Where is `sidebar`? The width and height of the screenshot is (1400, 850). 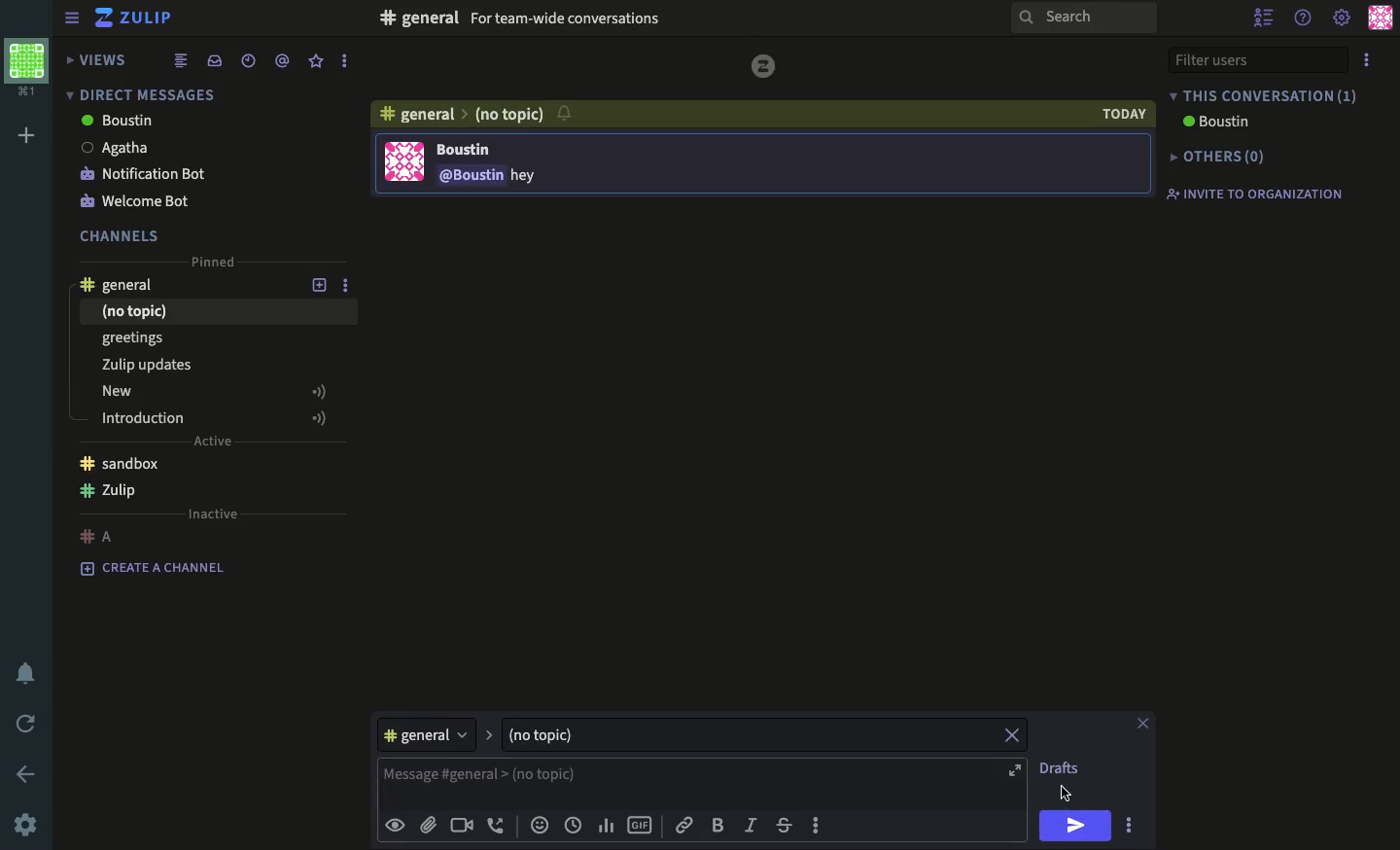
sidebar is located at coordinates (72, 19).